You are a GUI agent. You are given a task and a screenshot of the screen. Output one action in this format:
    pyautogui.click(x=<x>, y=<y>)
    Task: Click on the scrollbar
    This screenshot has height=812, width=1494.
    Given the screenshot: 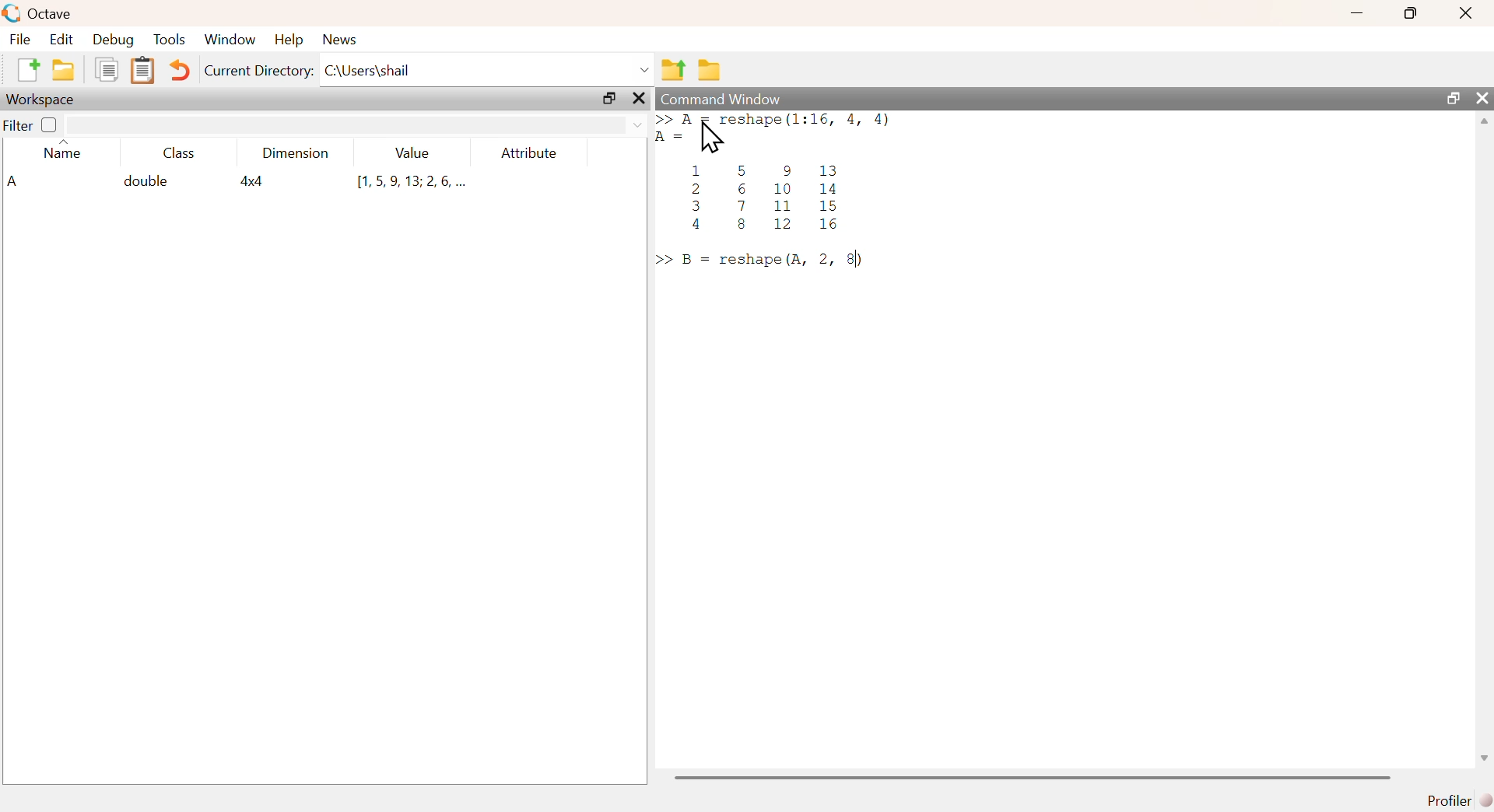 What is the action you would take?
    pyautogui.click(x=1033, y=777)
    